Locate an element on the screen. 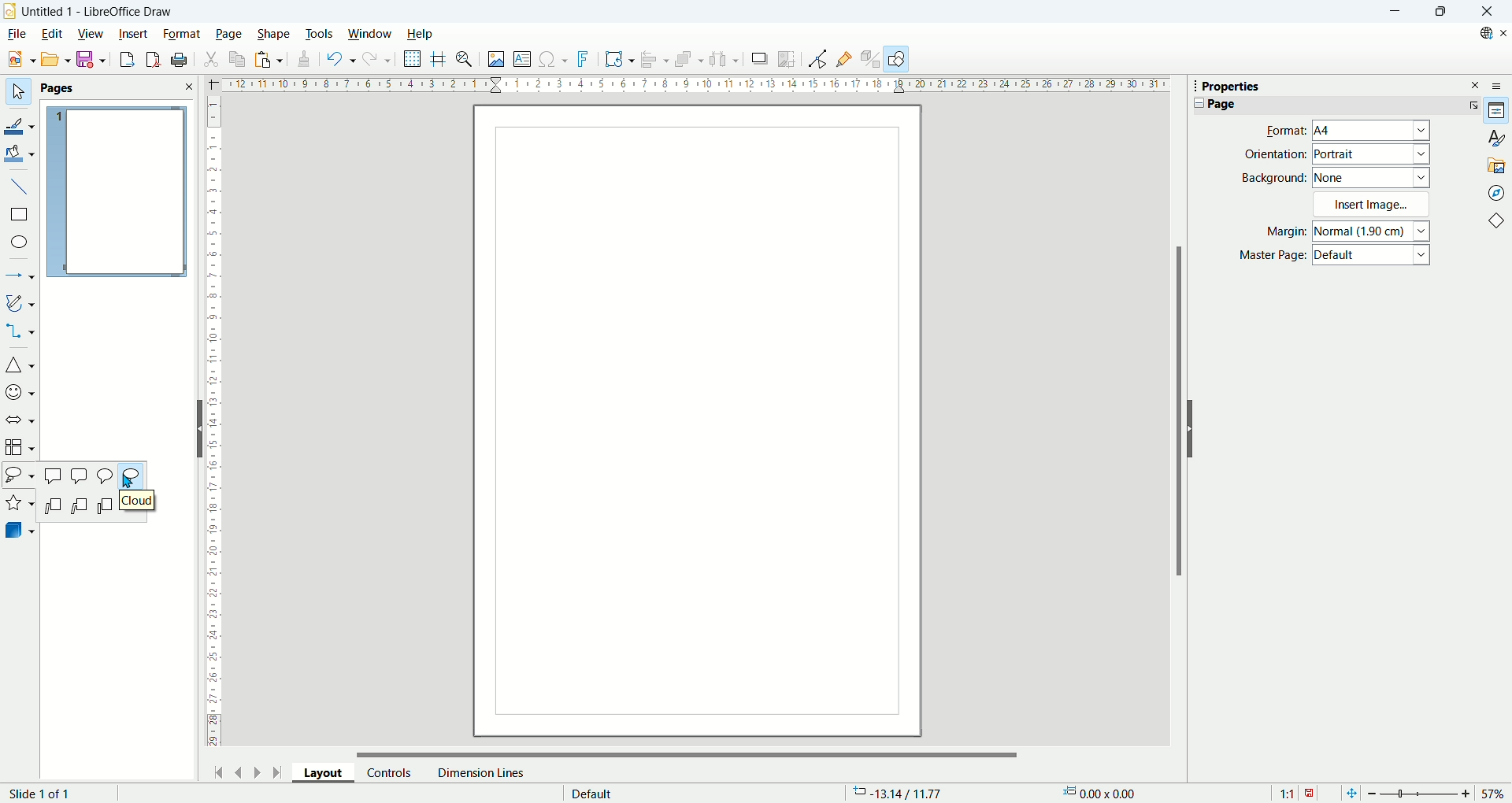 This screenshot has width=1512, height=803. solid arrow is located at coordinates (20, 418).